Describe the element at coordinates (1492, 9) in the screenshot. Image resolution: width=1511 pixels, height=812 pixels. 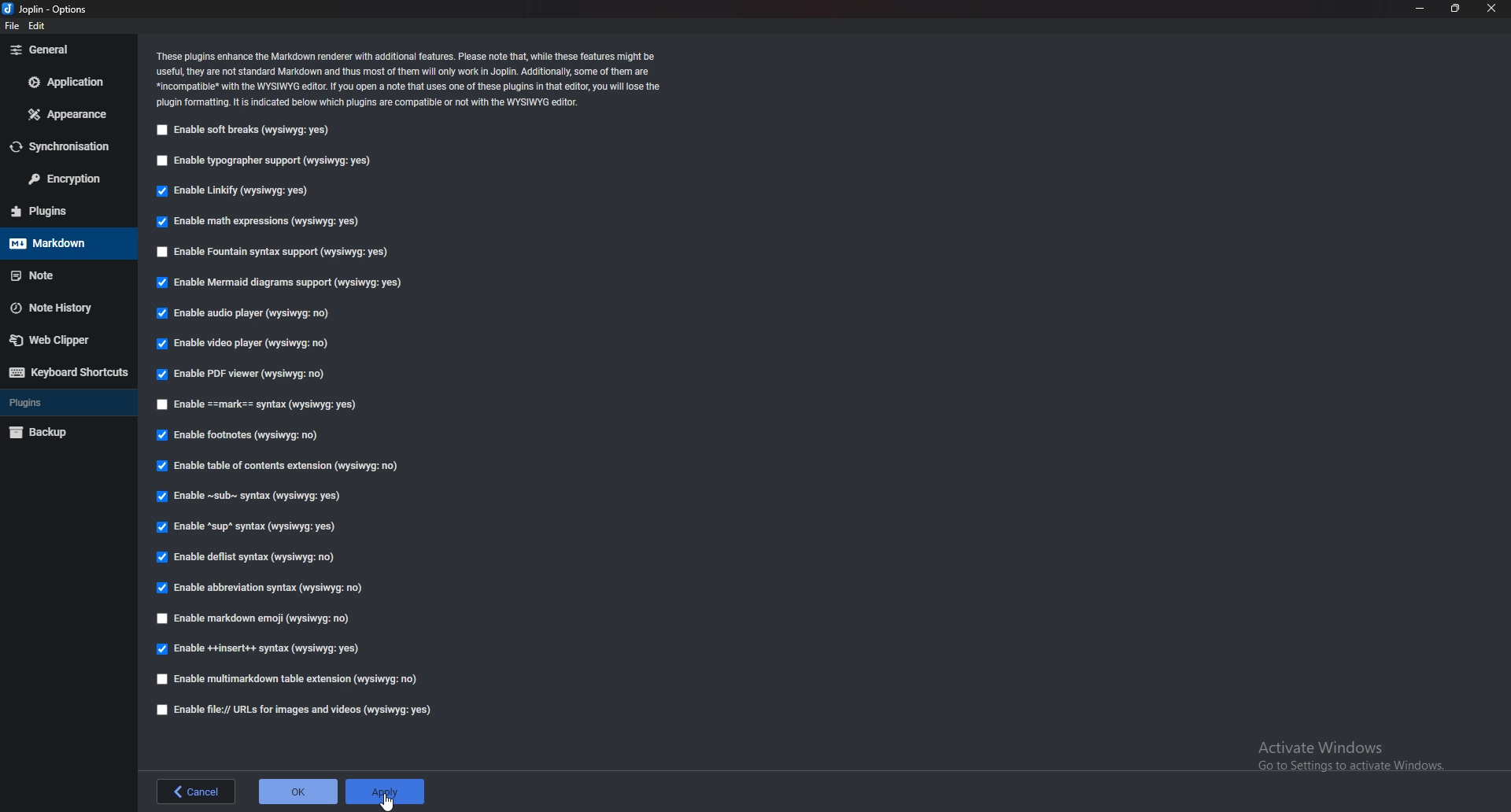
I see `close` at that location.